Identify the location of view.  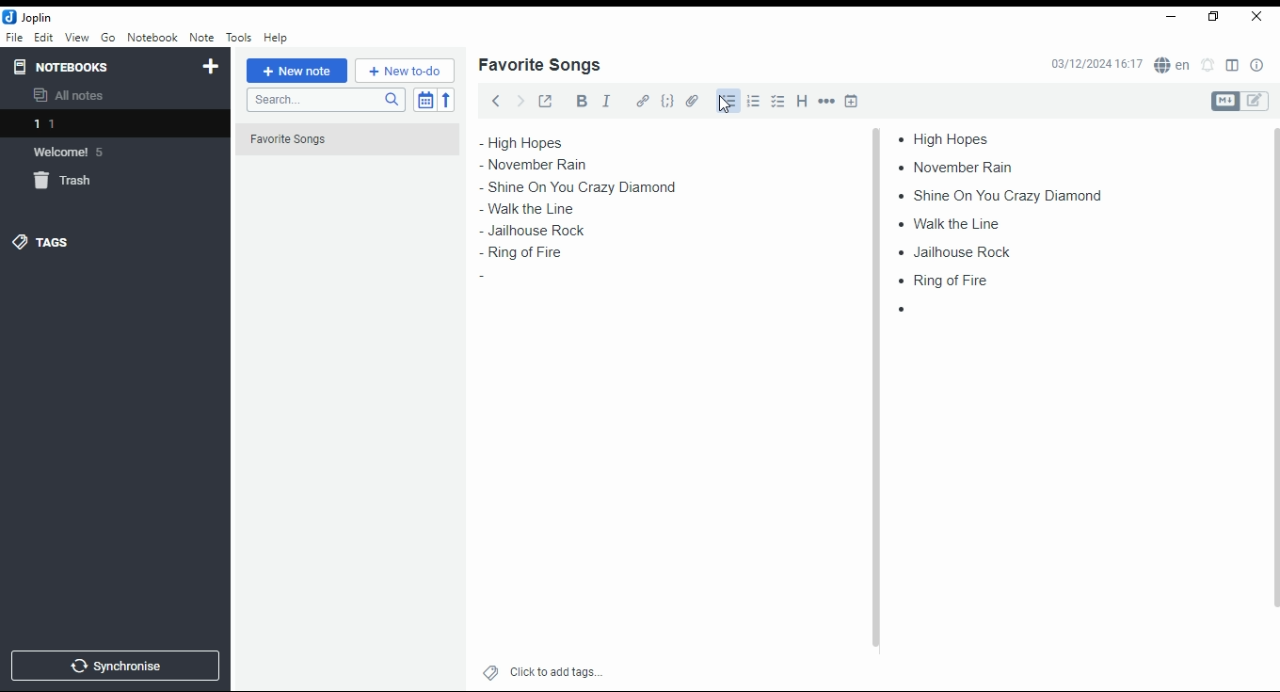
(77, 38).